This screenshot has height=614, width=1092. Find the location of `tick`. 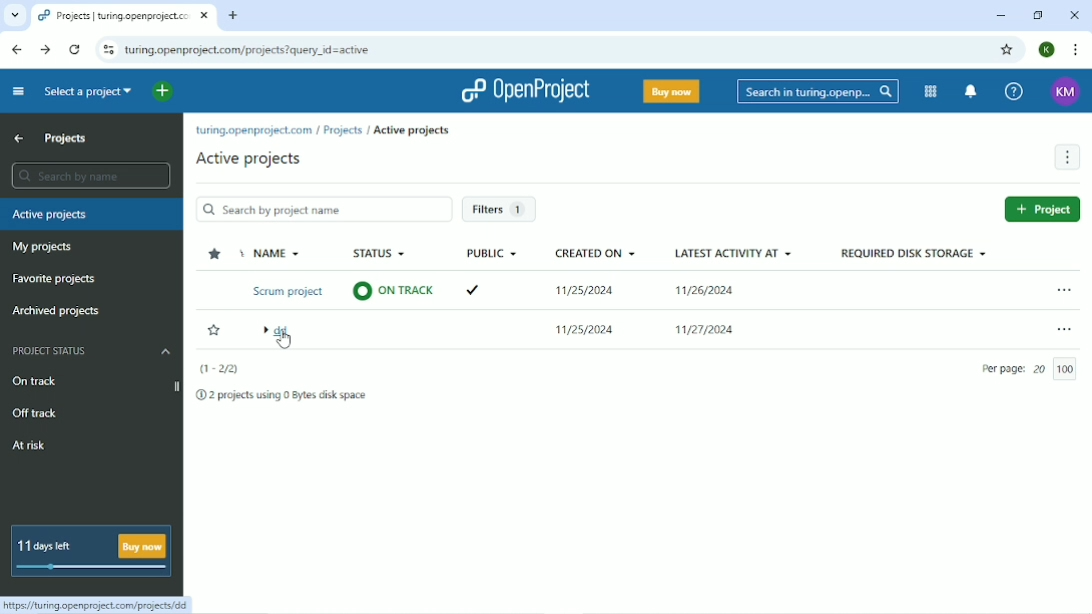

tick is located at coordinates (477, 288).